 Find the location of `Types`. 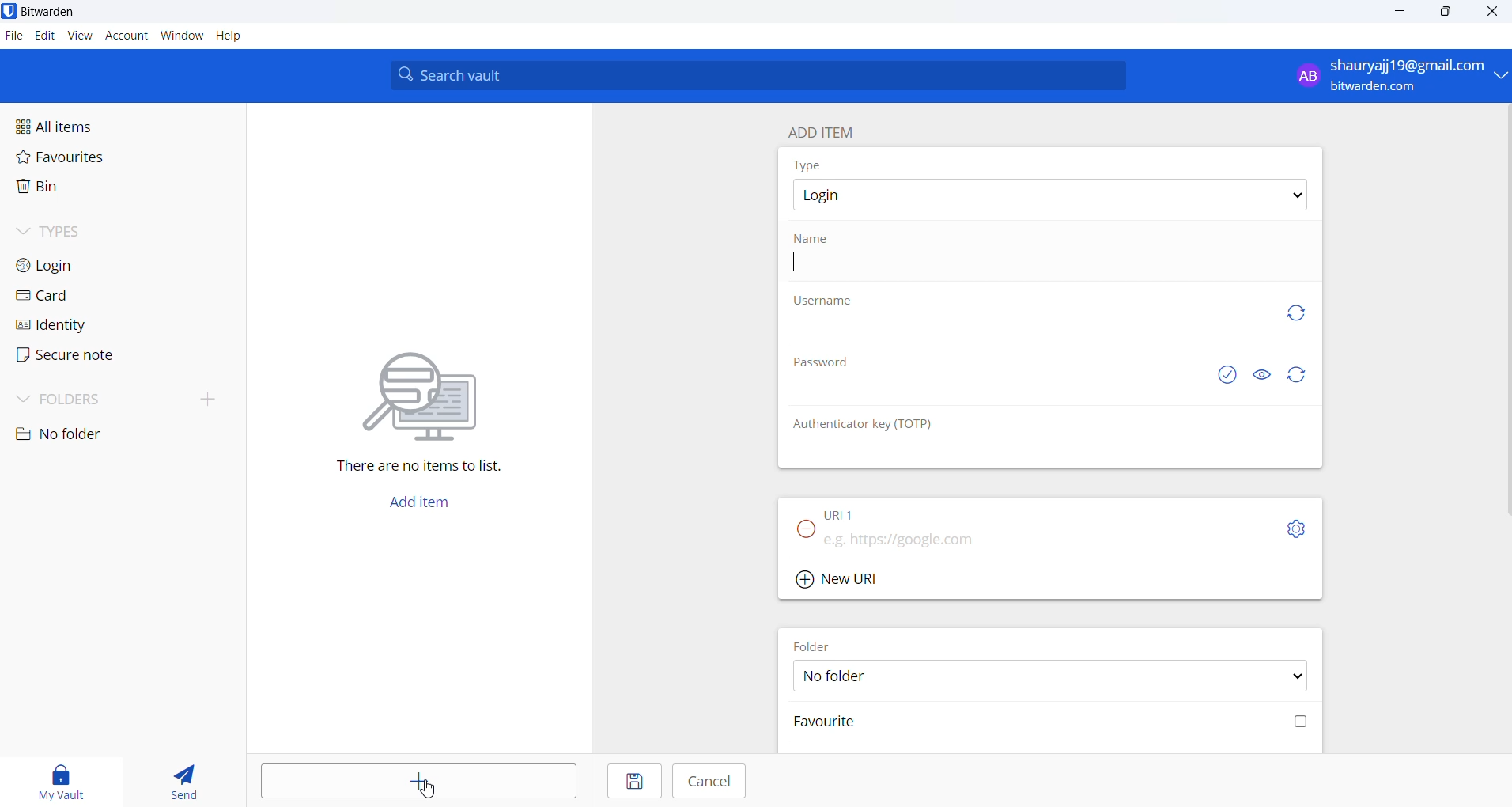

Types is located at coordinates (76, 229).